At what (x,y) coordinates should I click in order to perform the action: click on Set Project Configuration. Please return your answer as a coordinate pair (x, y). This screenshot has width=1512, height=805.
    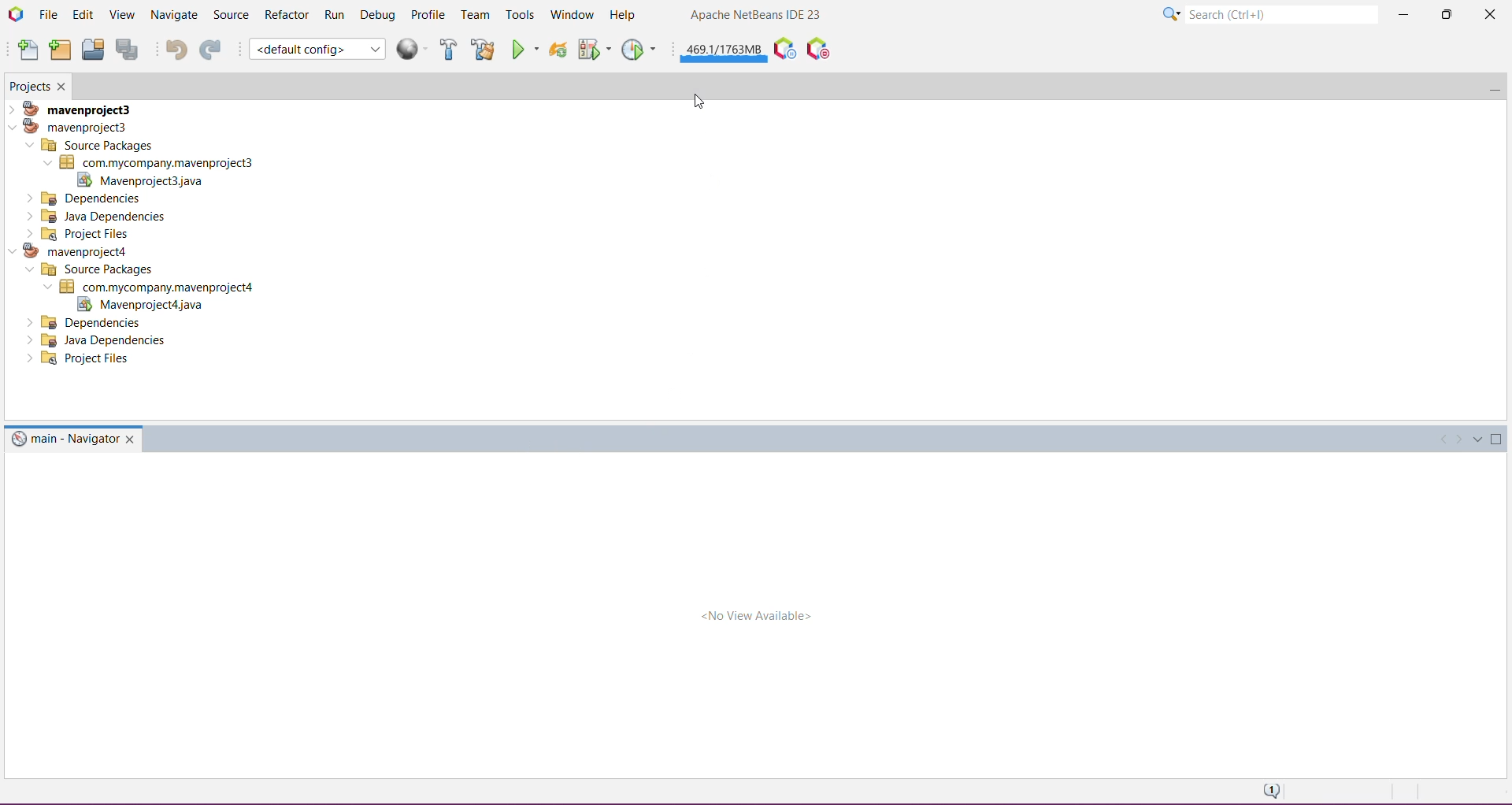
    Looking at the image, I should click on (317, 49).